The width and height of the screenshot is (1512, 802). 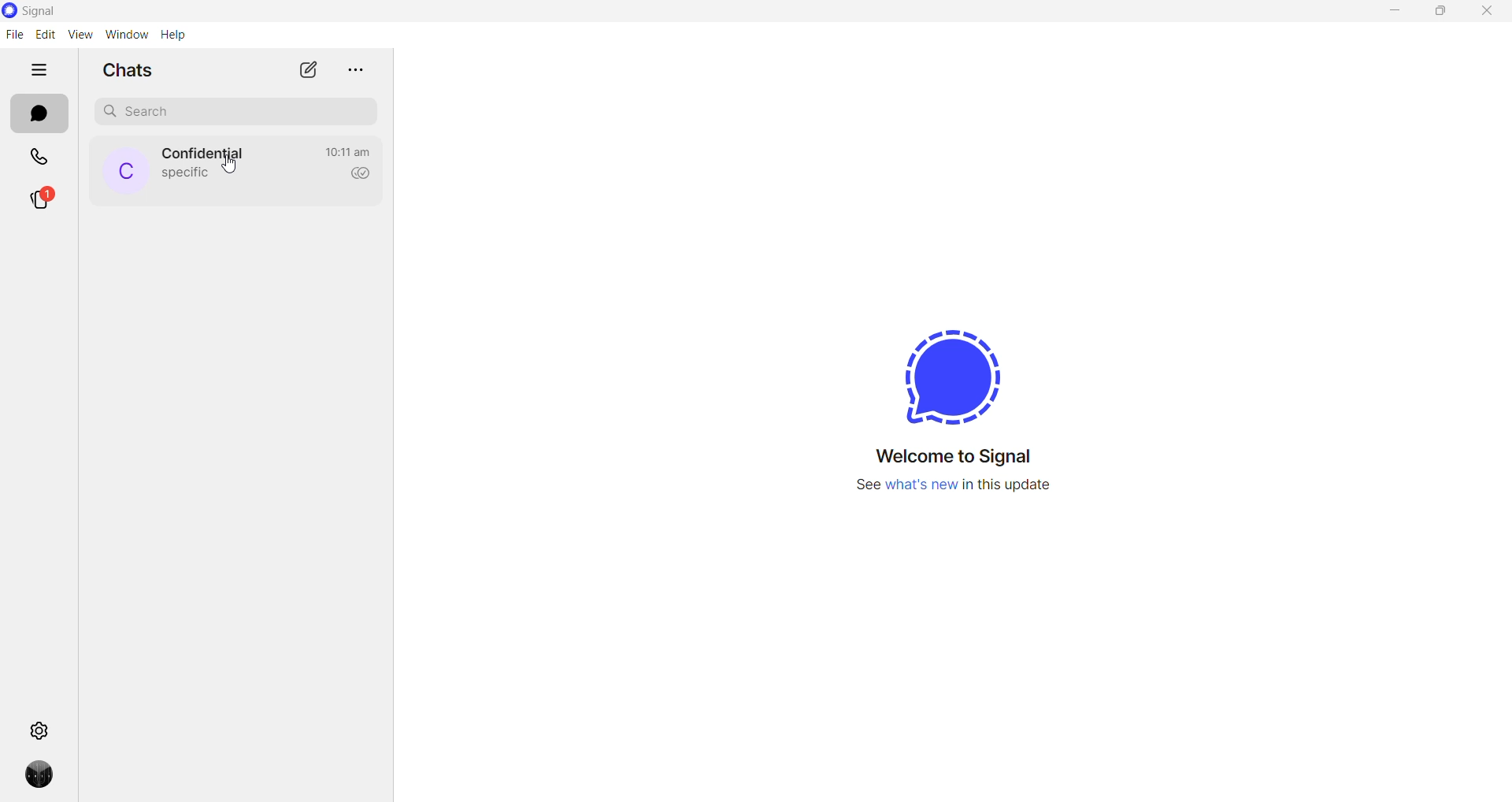 I want to click on hide tabs, so click(x=39, y=71).